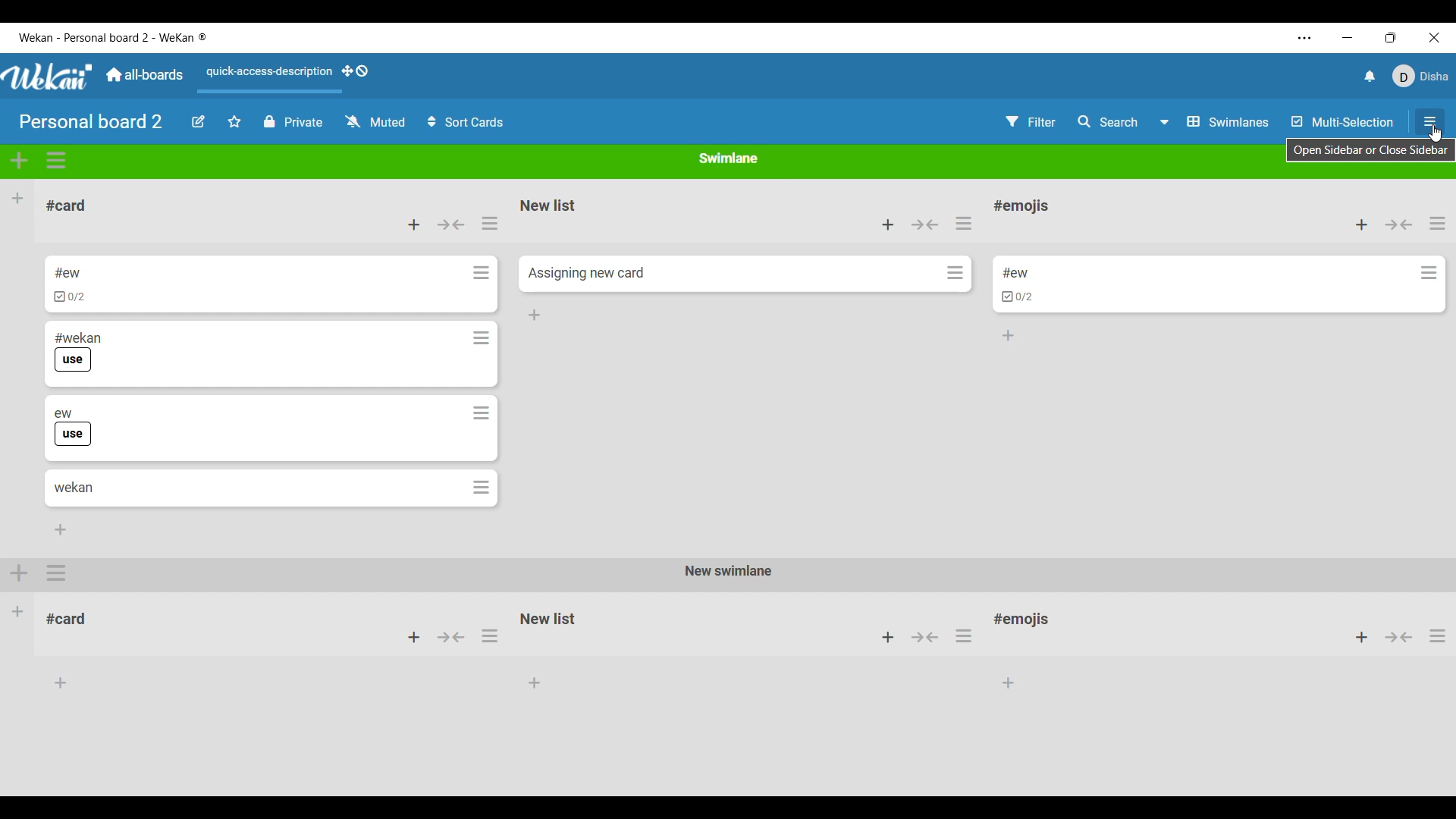  Describe the element at coordinates (18, 198) in the screenshot. I see `Add list` at that location.